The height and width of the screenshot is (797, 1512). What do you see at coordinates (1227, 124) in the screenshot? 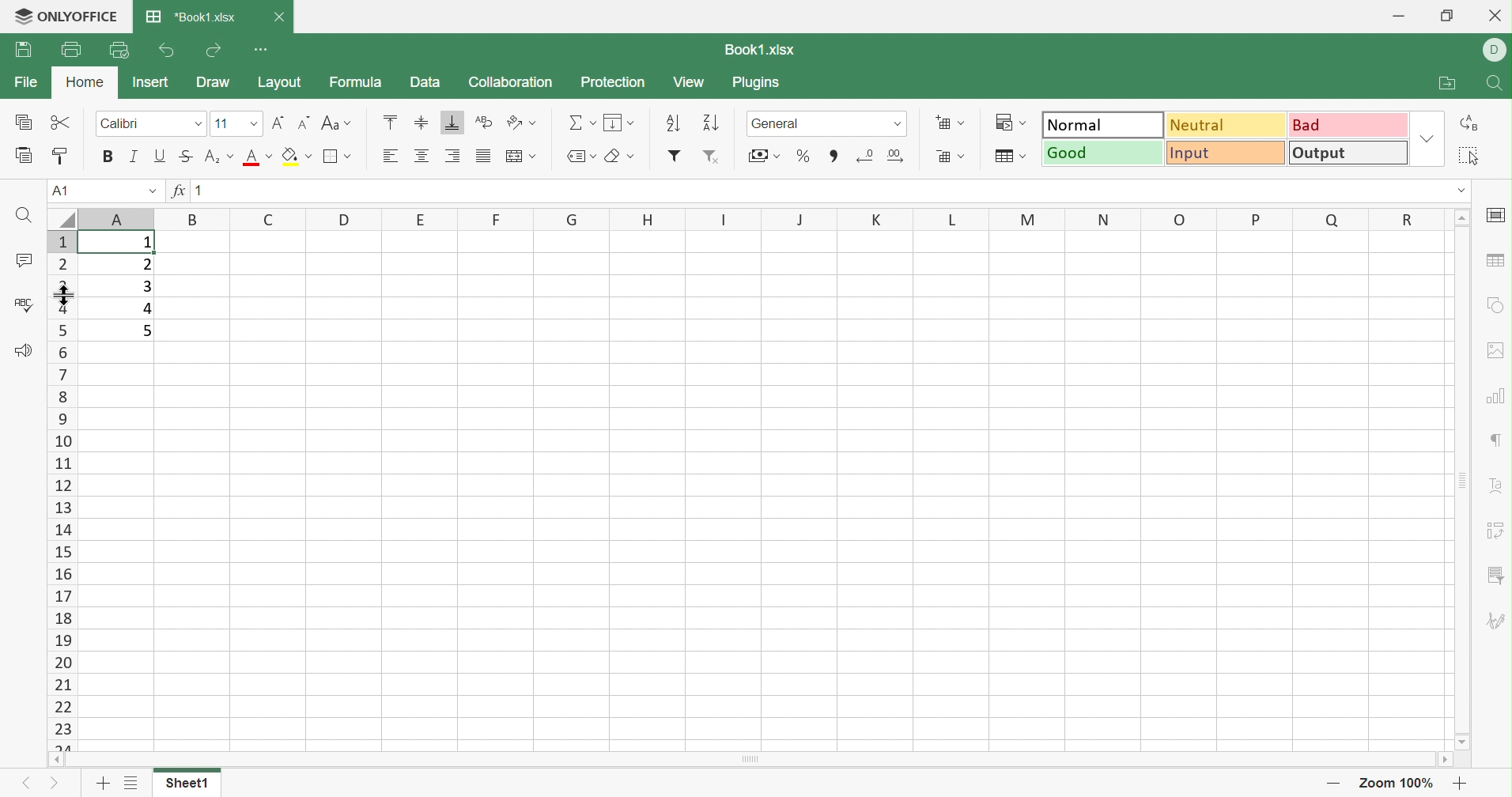
I see `Neutral` at bounding box center [1227, 124].